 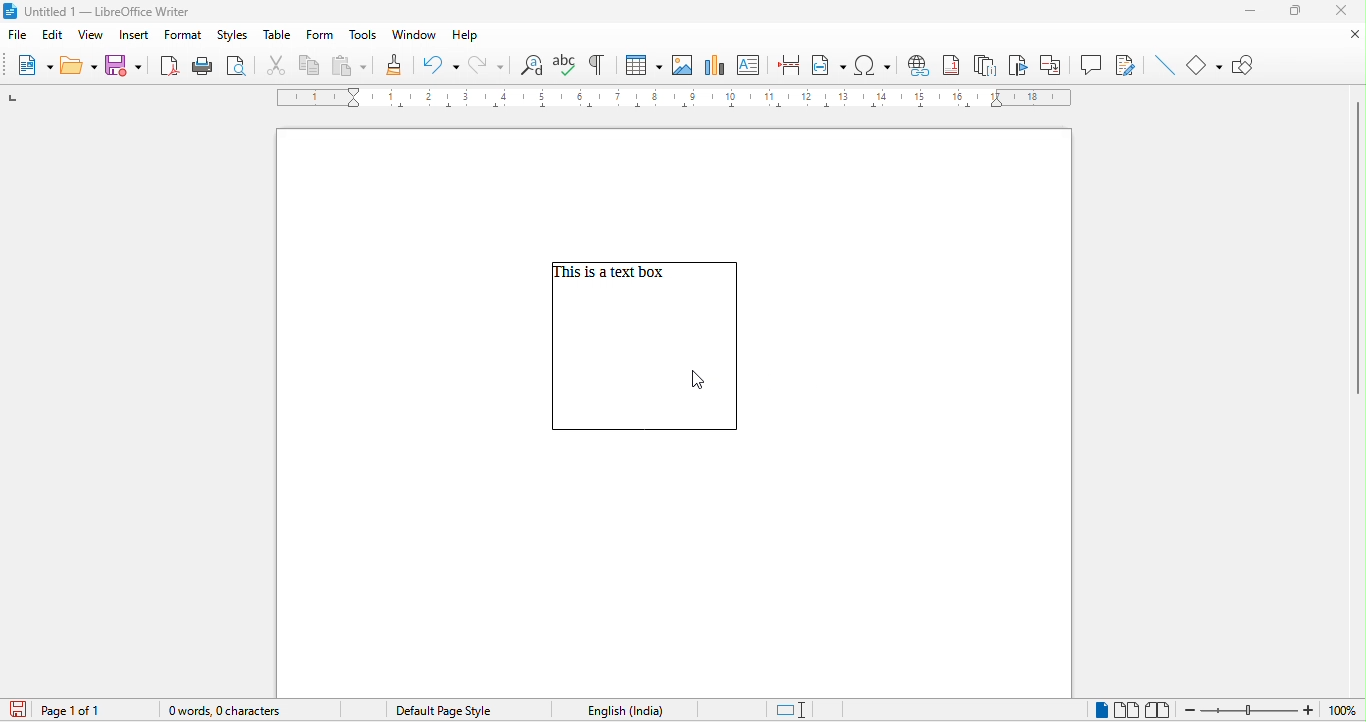 What do you see at coordinates (613, 275) in the screenshot?
I see `this is a text box` at bounding box center [613, 275].